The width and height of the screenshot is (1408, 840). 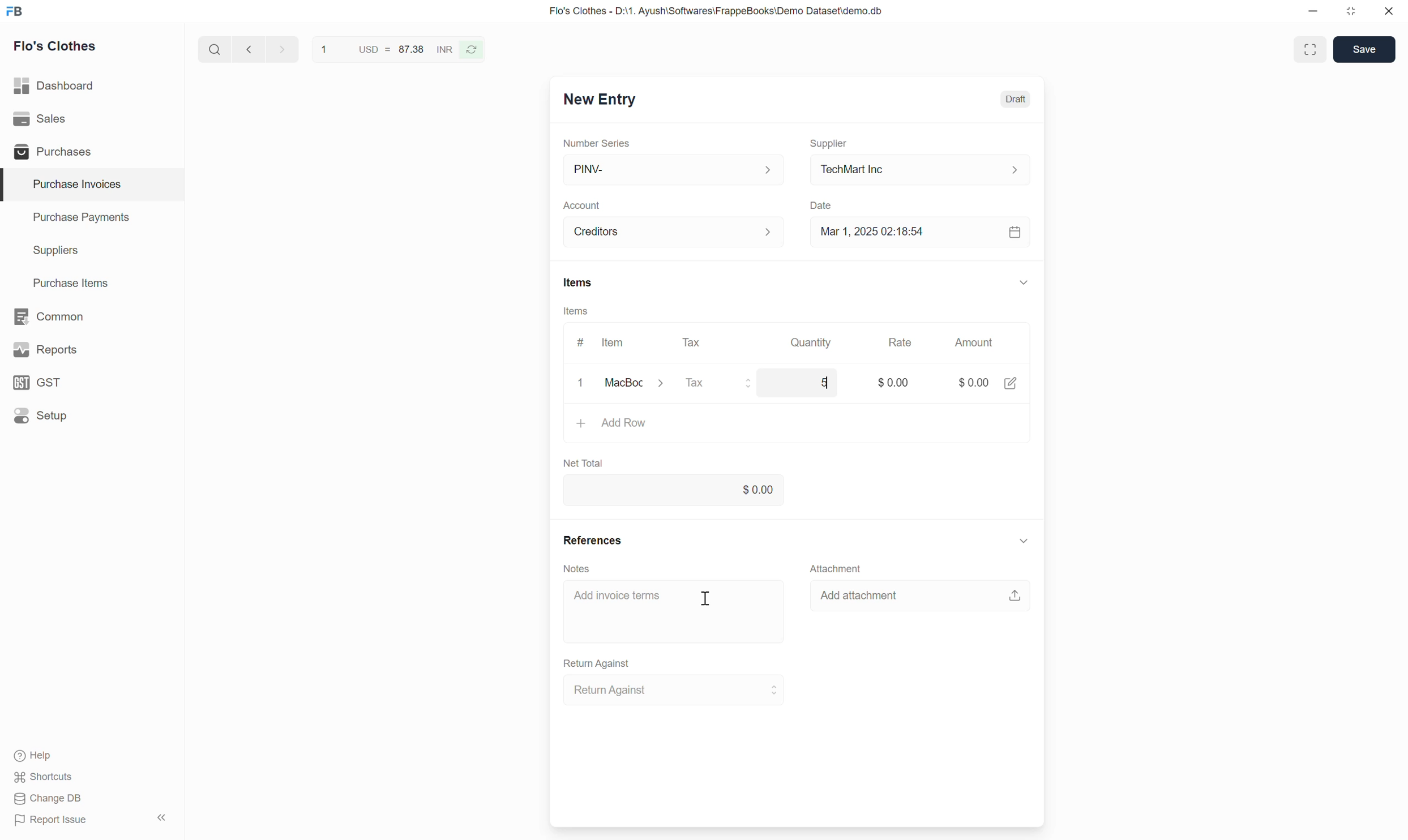 I want to click on 1 USD = 87.38 INR, so click(x=385, y=49).